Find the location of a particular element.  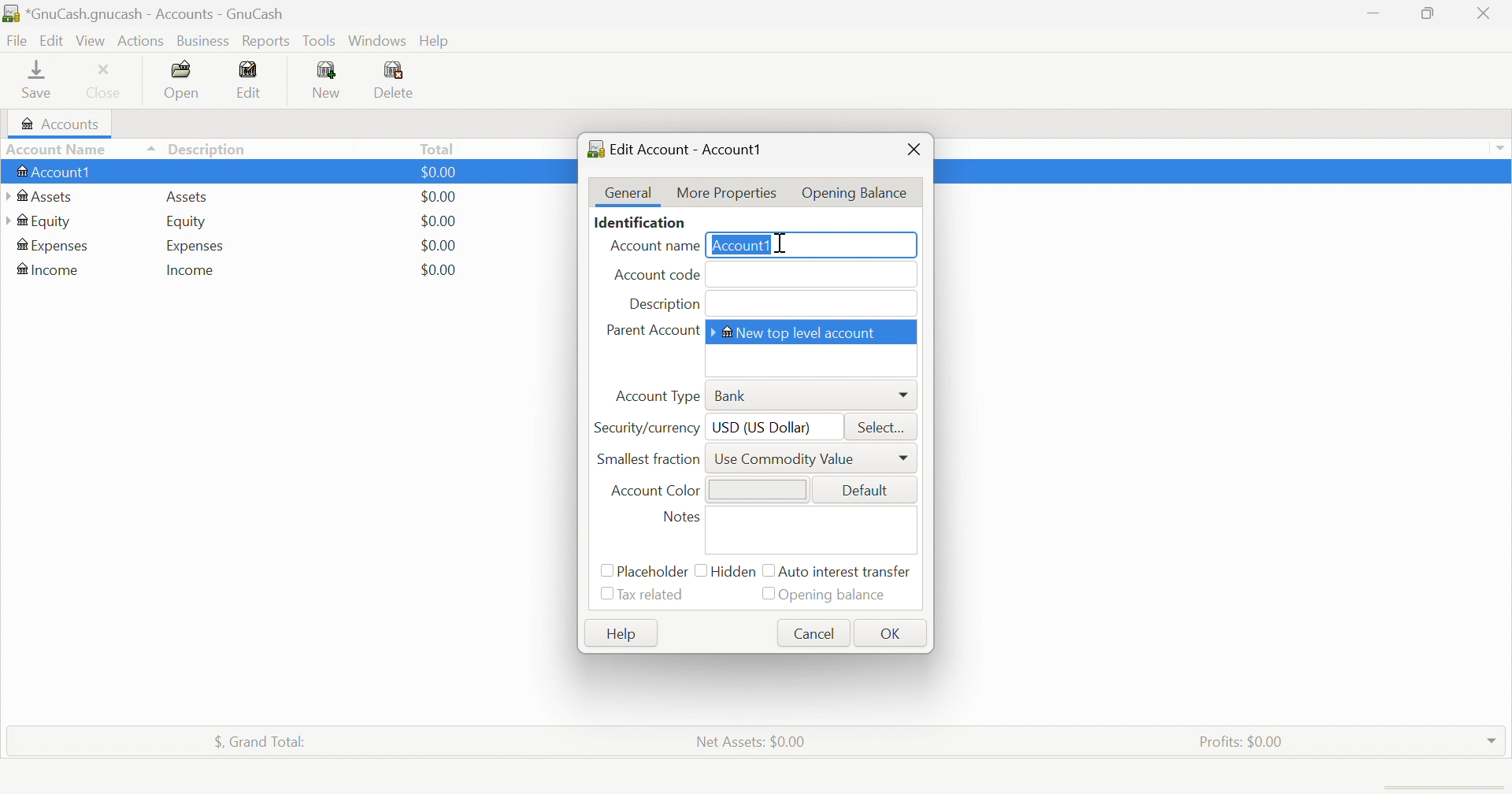

More is located at coordinates (904, 394).